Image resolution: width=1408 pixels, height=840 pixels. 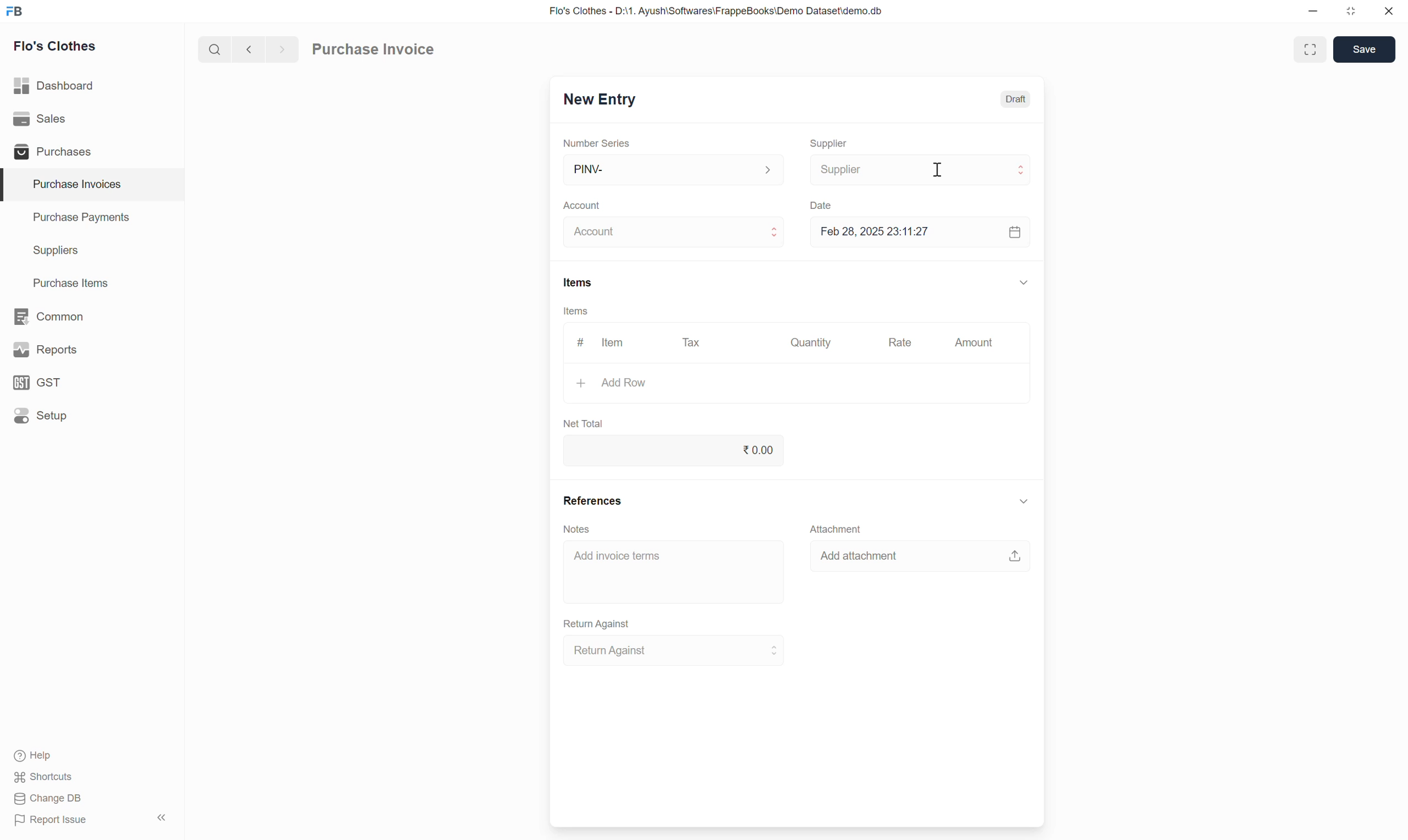 What do you see at coordinates (162, 817) in the screenshot?
I see `Collapse` at bounding box center [162, 817].